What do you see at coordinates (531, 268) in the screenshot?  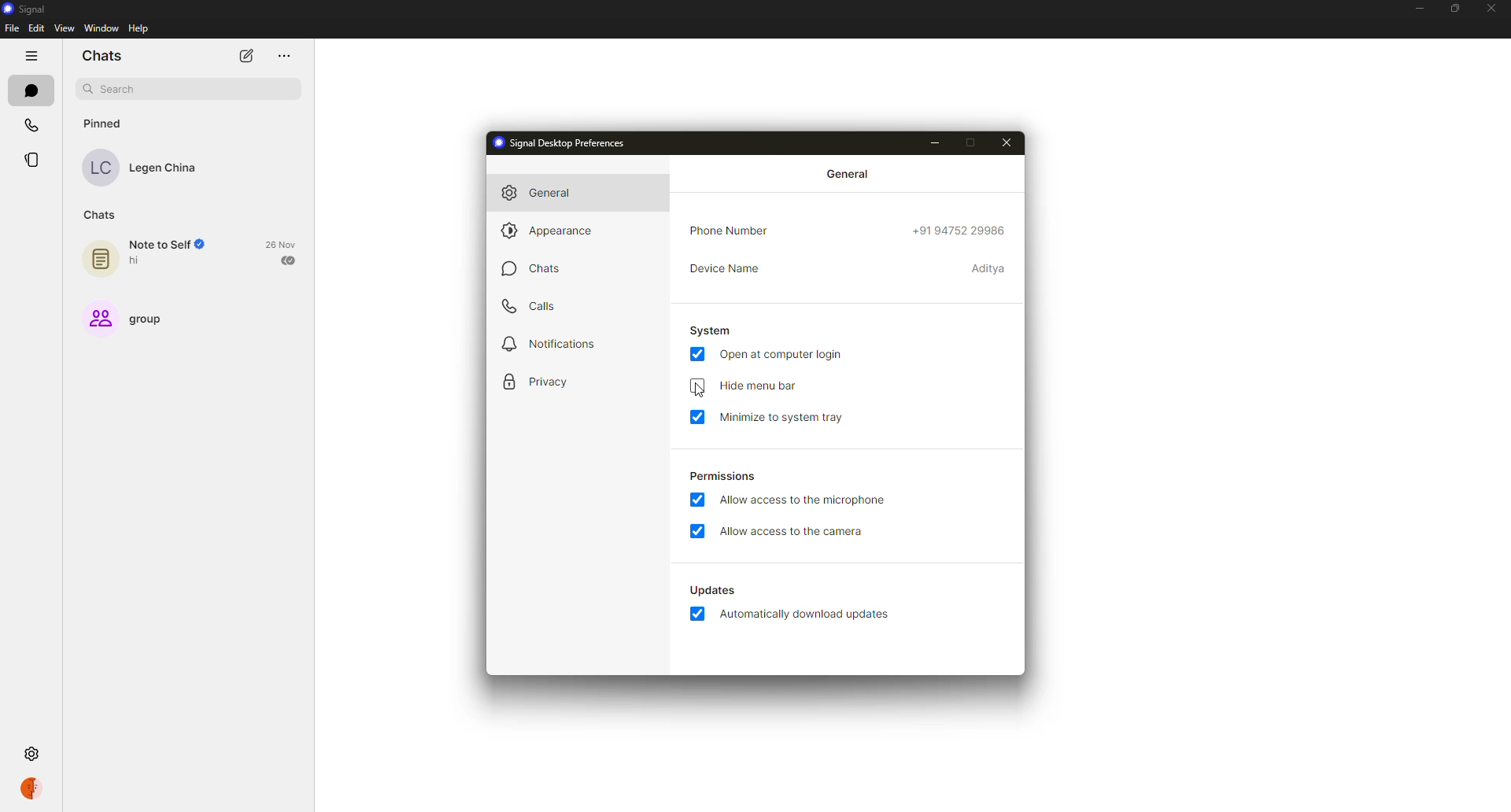 I see `chats` at bounding box center [531, 268].